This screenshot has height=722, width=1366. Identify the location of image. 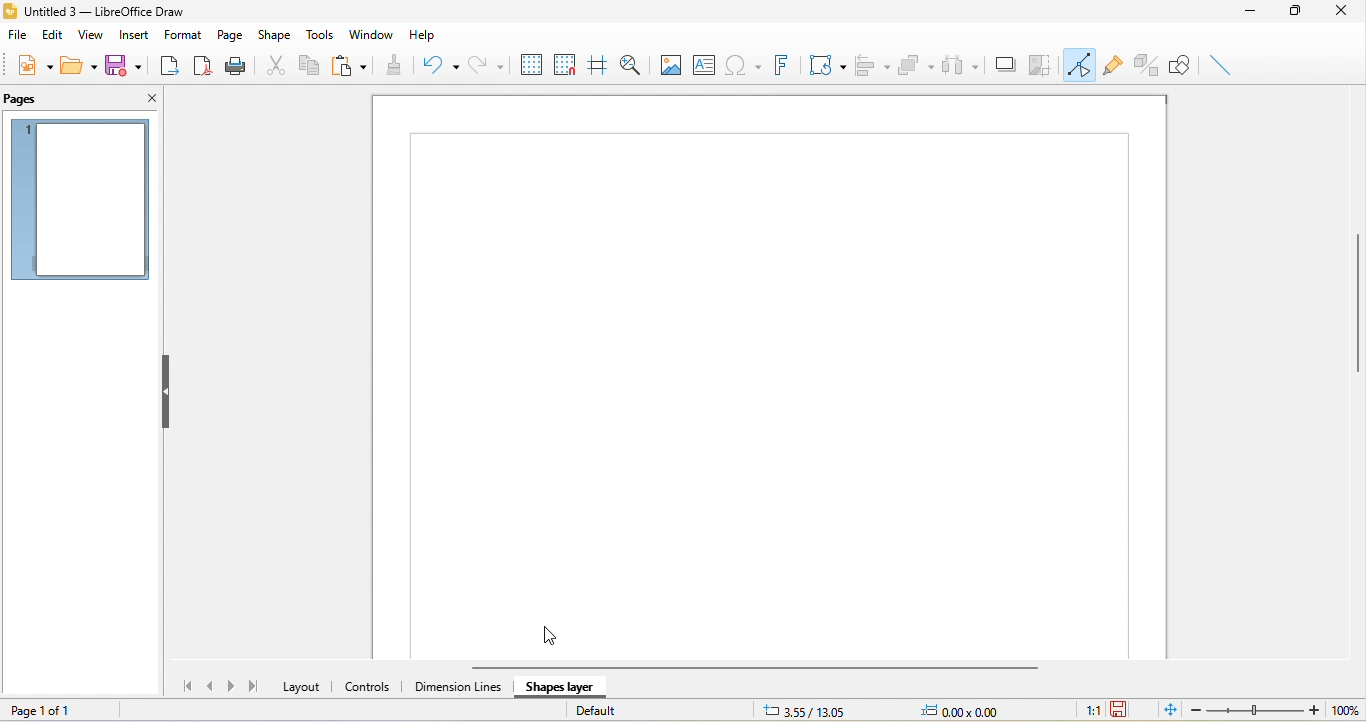
(670, 67).